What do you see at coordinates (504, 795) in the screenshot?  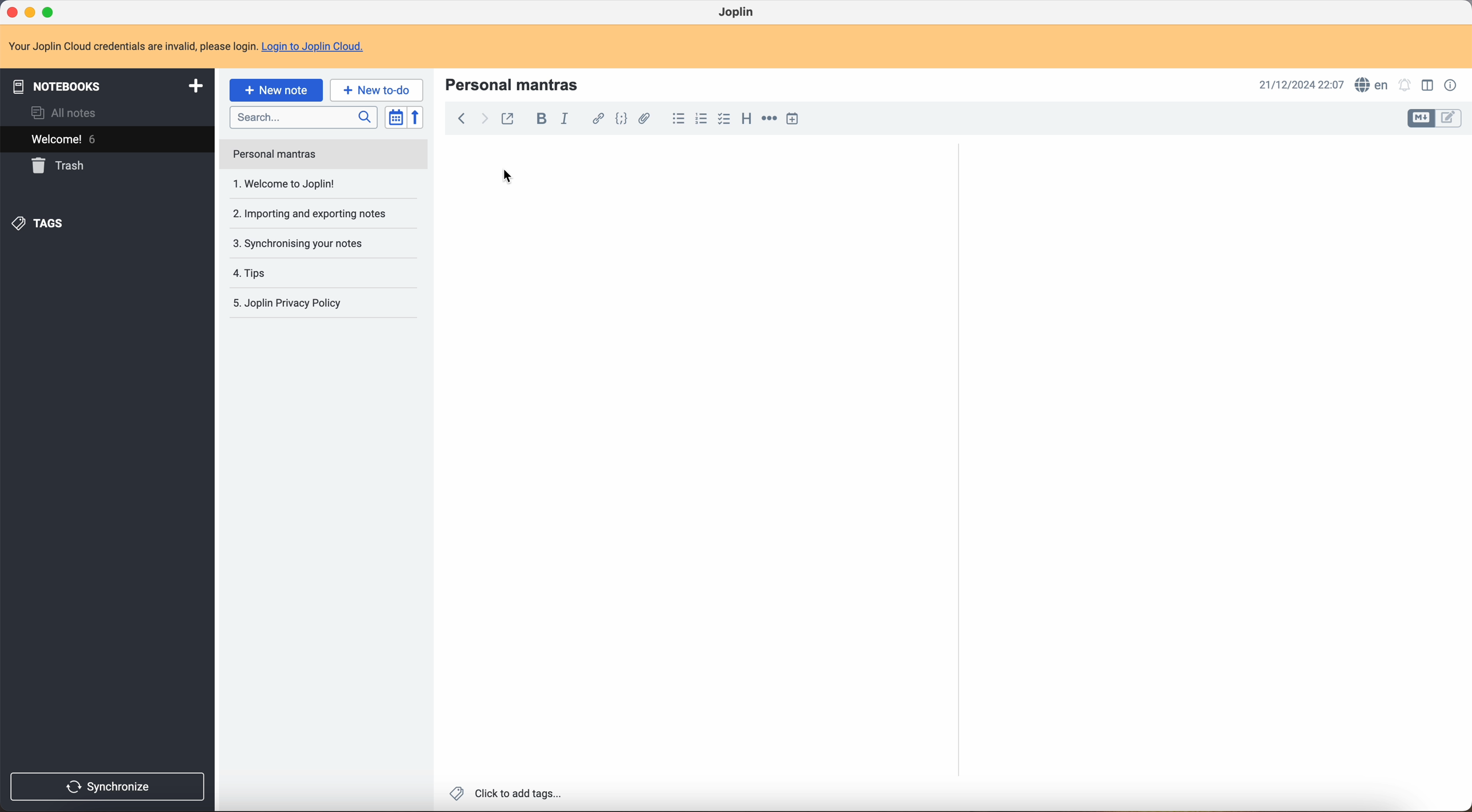 I see `click to add tags` at bounding box center [504, 795].